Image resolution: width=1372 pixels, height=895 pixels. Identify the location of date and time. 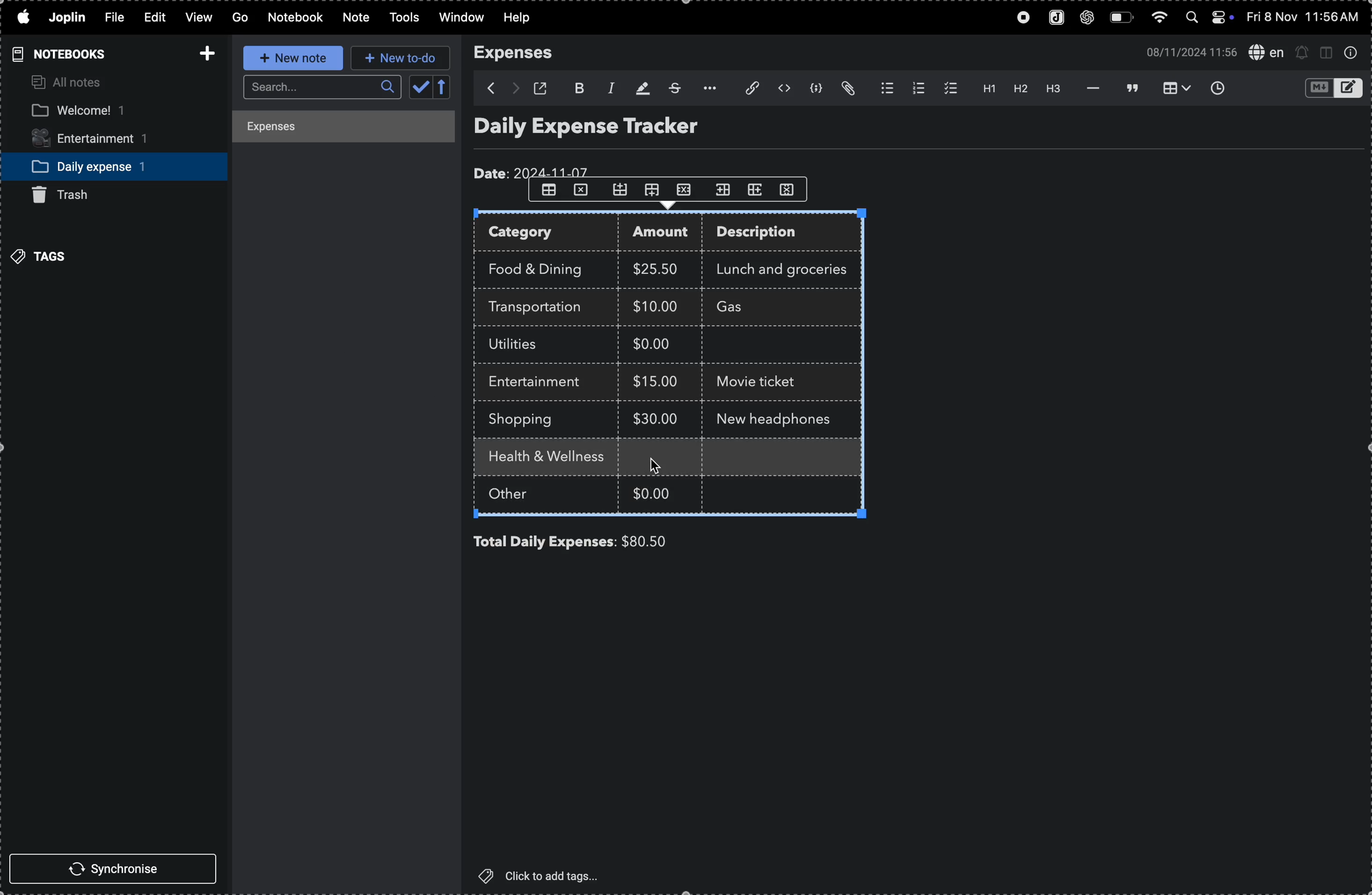
(1305, 17).